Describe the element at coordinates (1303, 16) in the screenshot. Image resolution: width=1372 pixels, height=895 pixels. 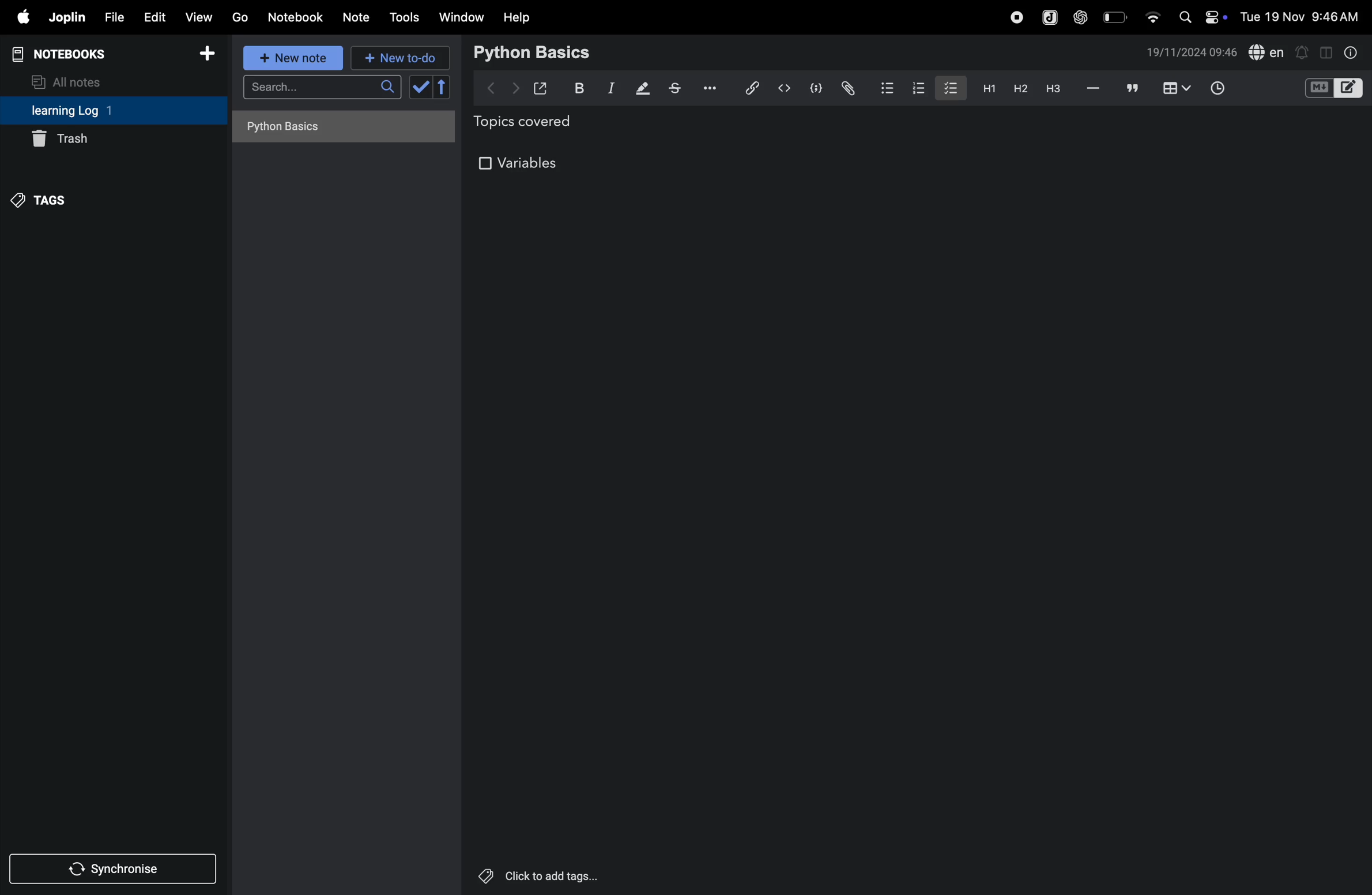
I see `date and time` at that location.